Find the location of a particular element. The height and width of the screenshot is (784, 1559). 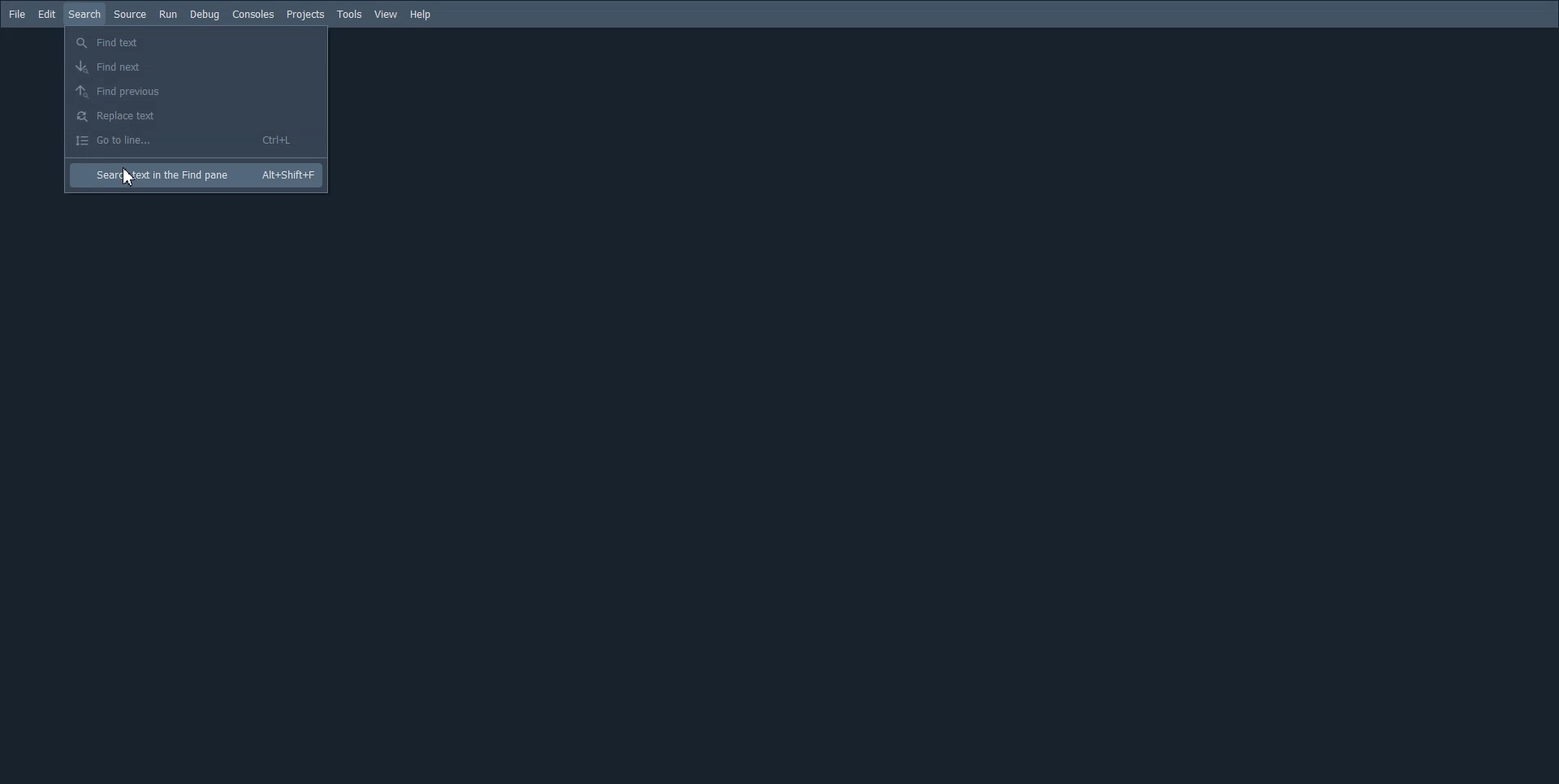

Run is located at coordinates (168, 15).